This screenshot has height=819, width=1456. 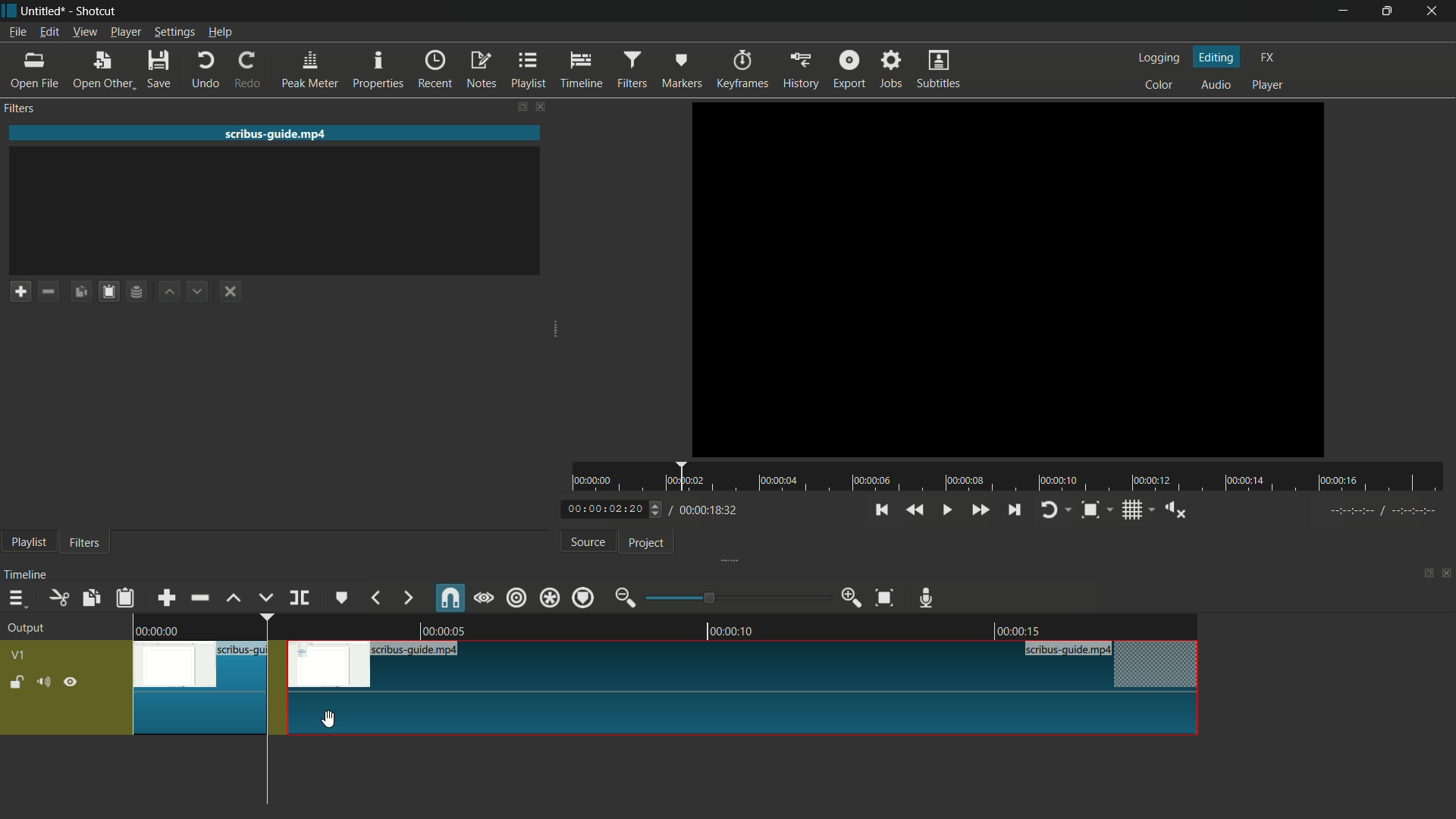 What do you see at coordinates (624, 597) in the screenshot?
I see `zoom out` at bounding box center [624, 597].